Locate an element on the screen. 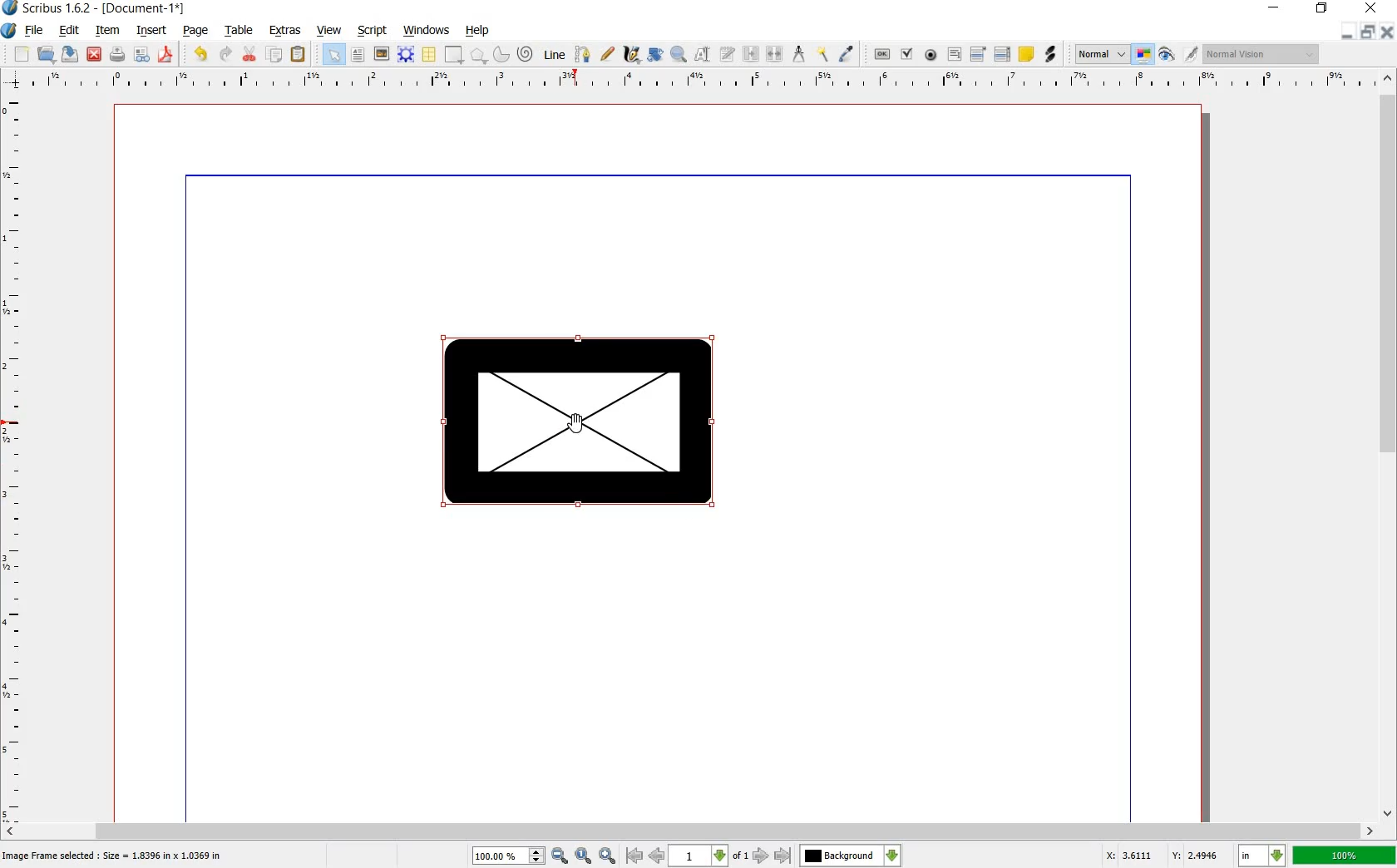  shape is located at coordinates (452, 55).